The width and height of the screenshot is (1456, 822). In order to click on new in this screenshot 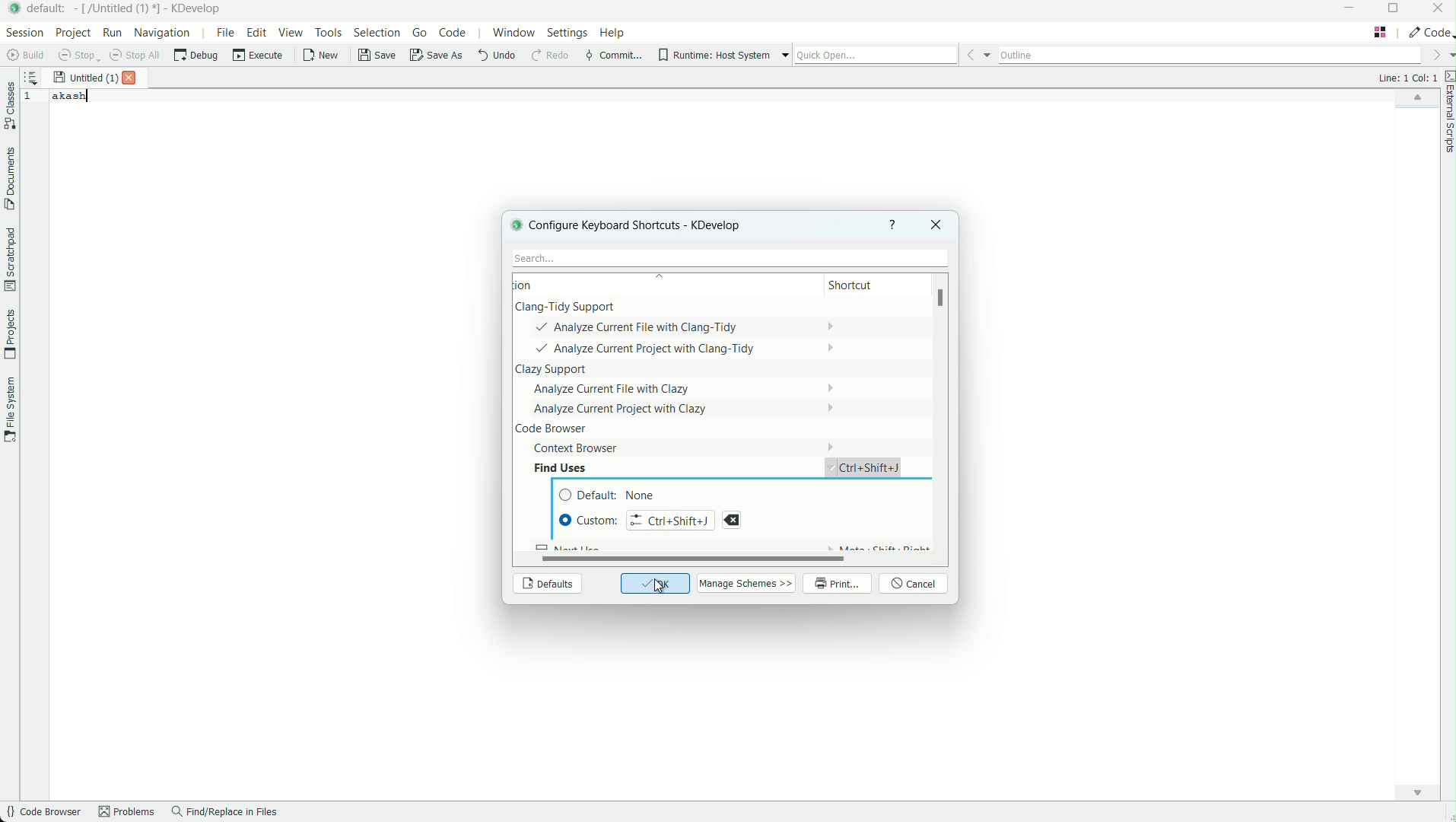, I will do `click(322, 57)`.